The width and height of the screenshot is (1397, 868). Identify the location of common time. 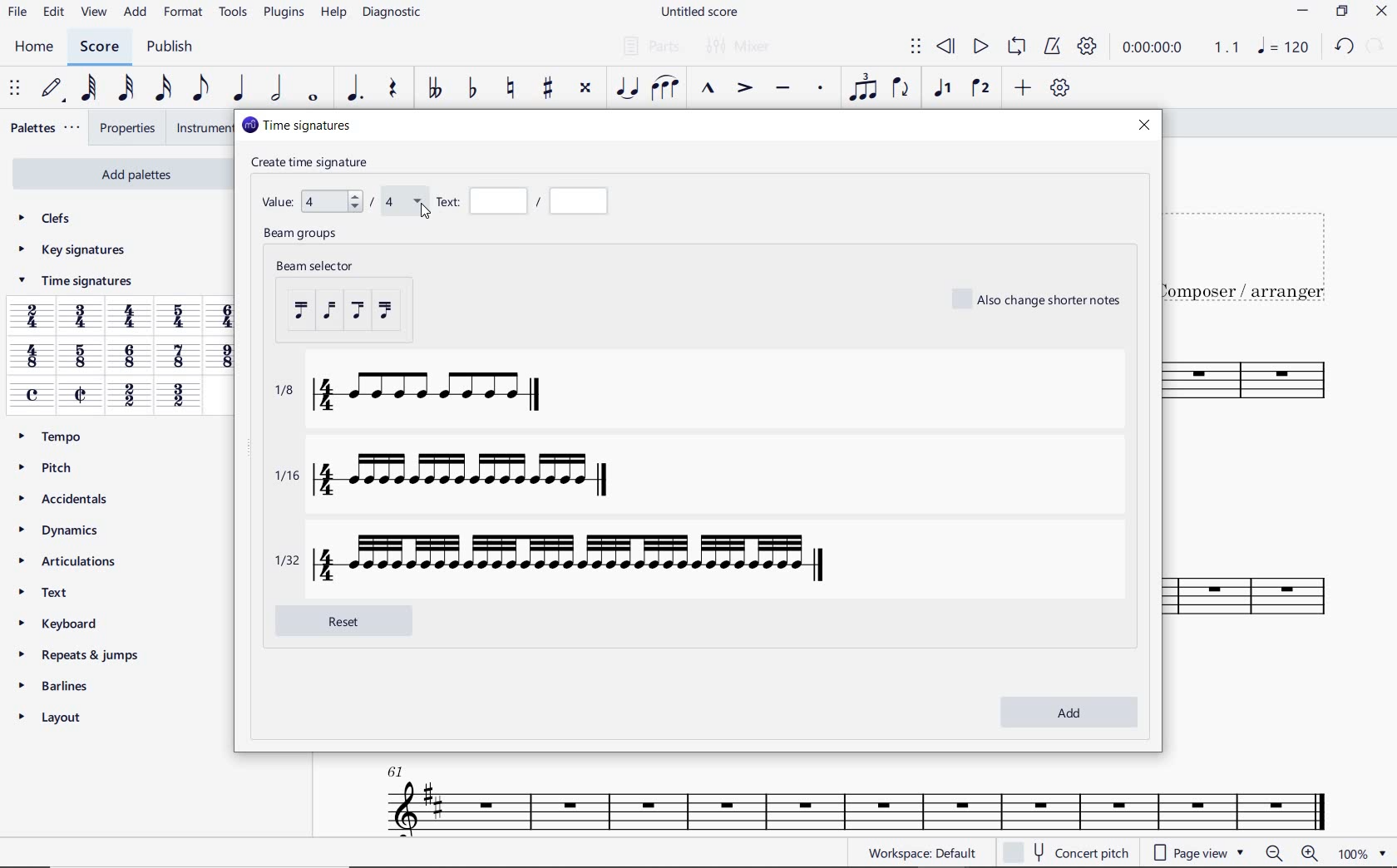
(33, 395).